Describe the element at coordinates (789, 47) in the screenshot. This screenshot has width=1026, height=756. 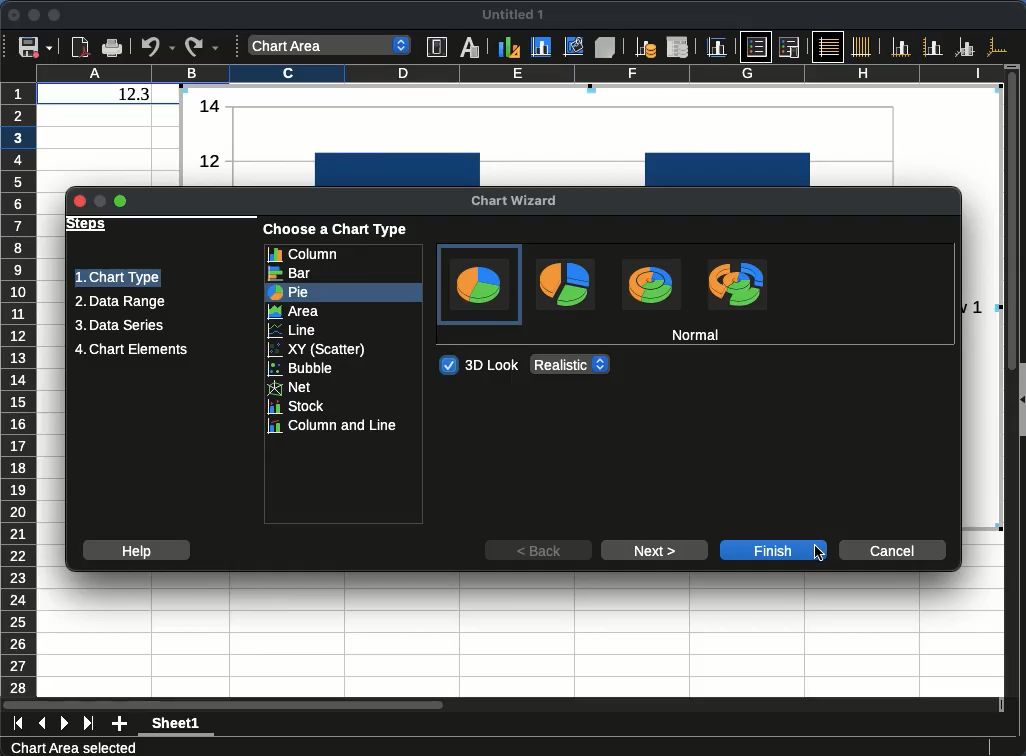
I see `Legend` at that location.